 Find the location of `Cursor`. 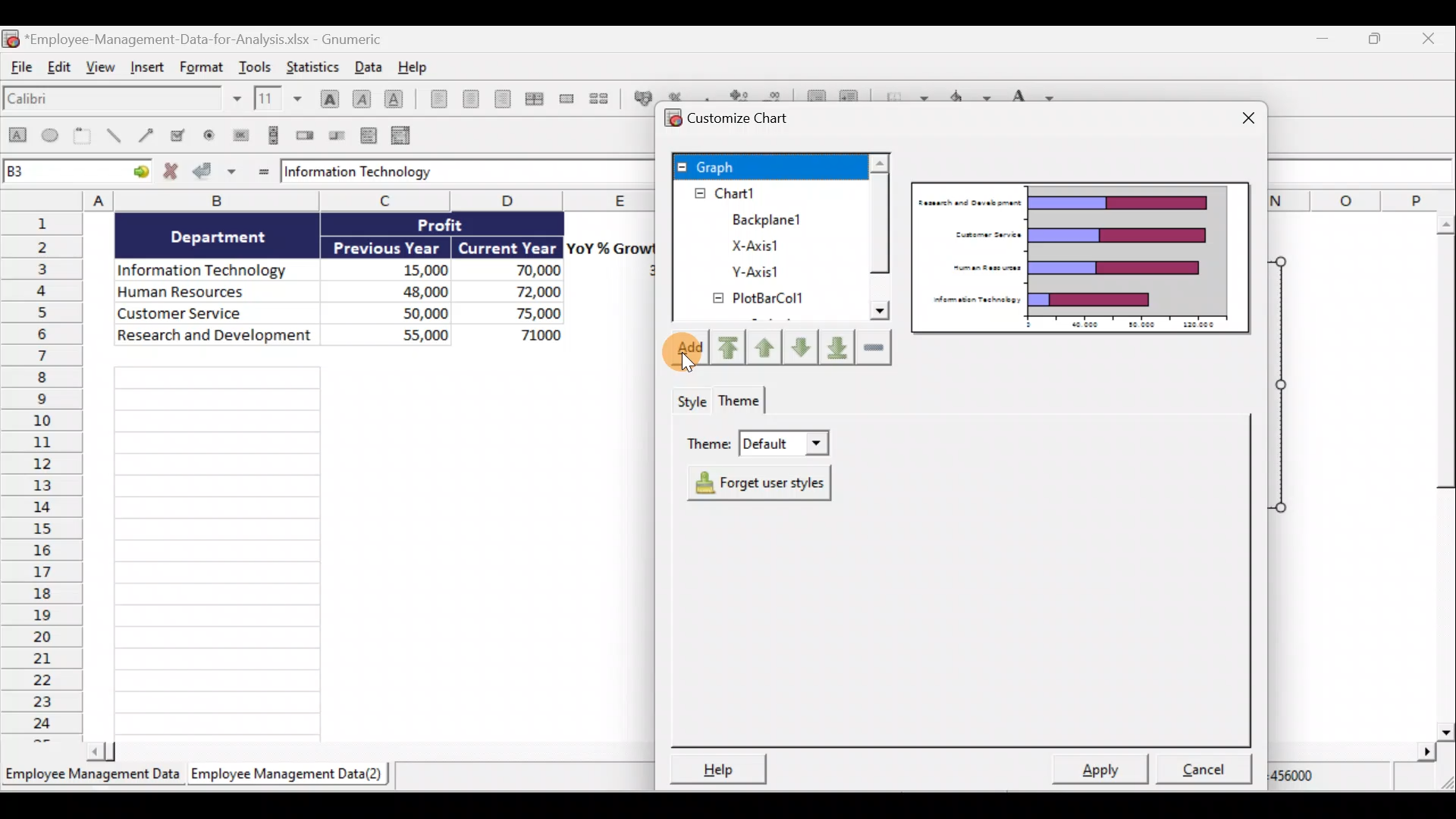

Cursor is located at coordinates (689, 356).